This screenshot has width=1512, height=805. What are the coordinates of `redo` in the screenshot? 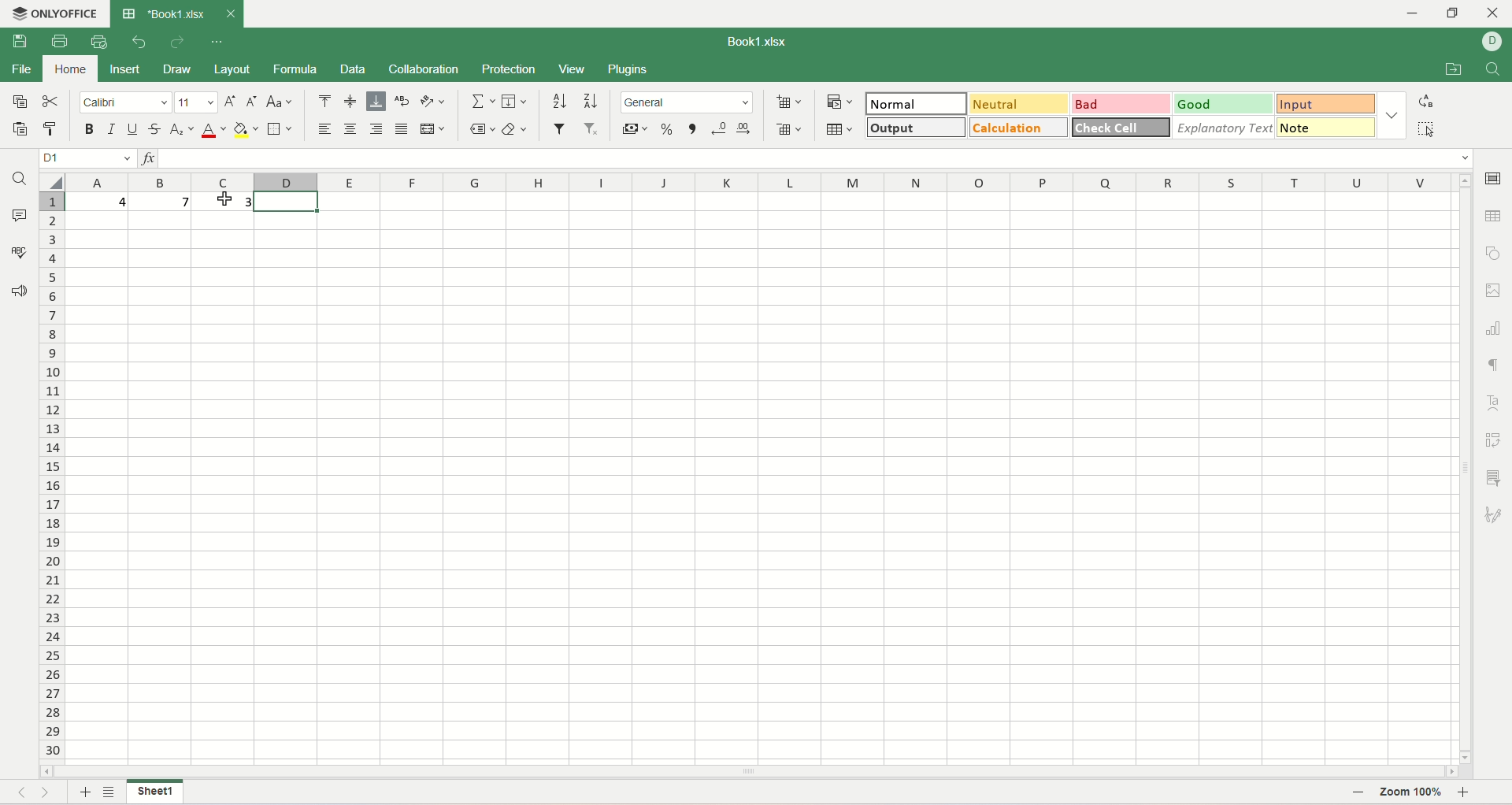 It's located at (177, 43).